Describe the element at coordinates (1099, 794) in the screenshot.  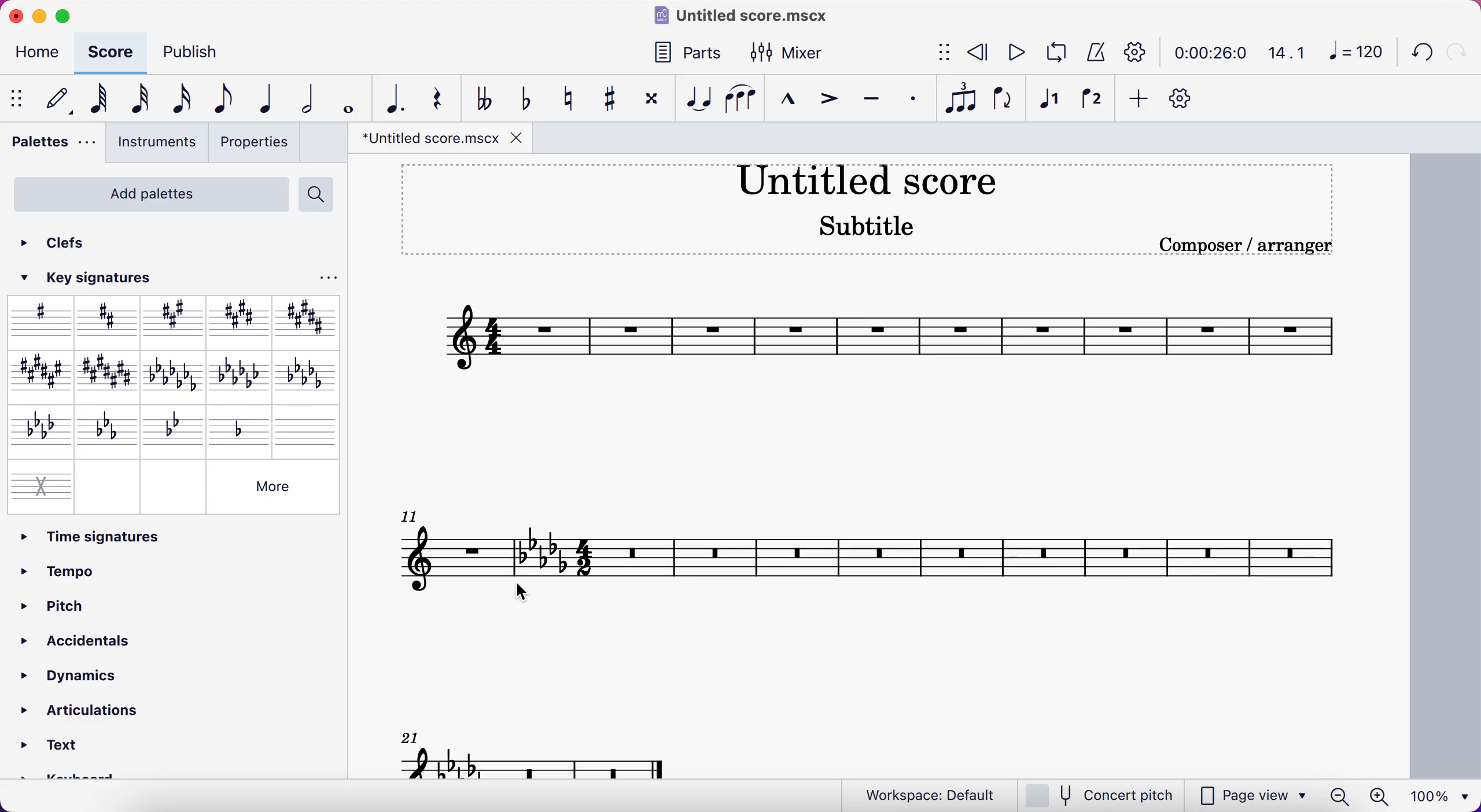
I see `concert pitch` at that location.